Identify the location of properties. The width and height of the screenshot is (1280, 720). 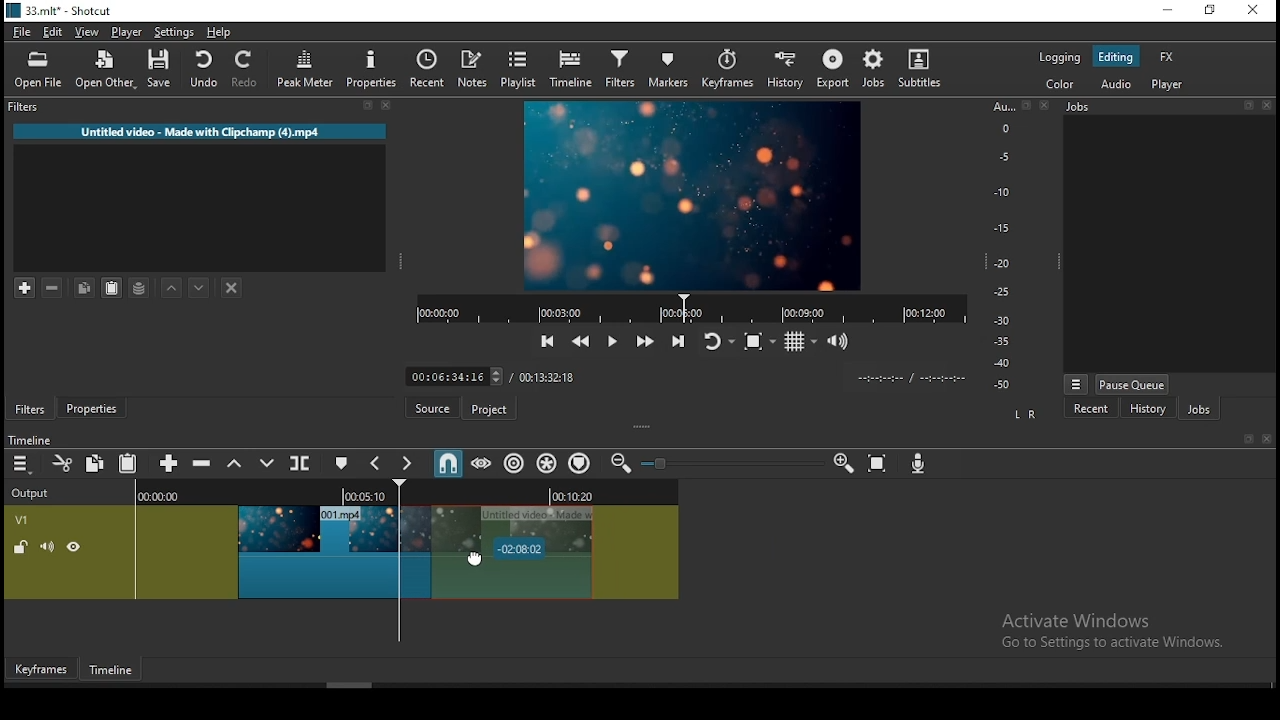
(96, 409).